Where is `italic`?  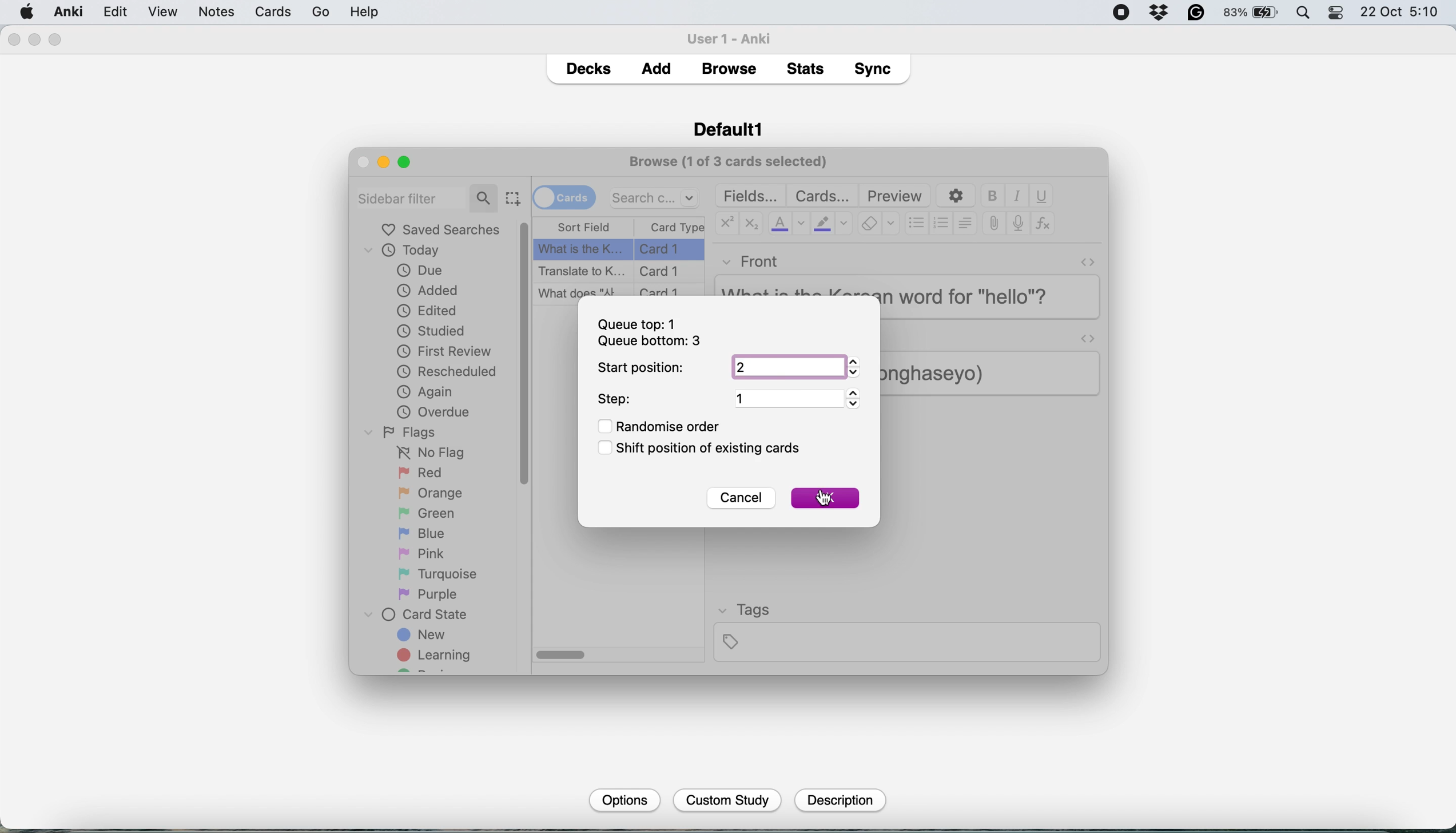 italic is located at coordinates (1019, 196).